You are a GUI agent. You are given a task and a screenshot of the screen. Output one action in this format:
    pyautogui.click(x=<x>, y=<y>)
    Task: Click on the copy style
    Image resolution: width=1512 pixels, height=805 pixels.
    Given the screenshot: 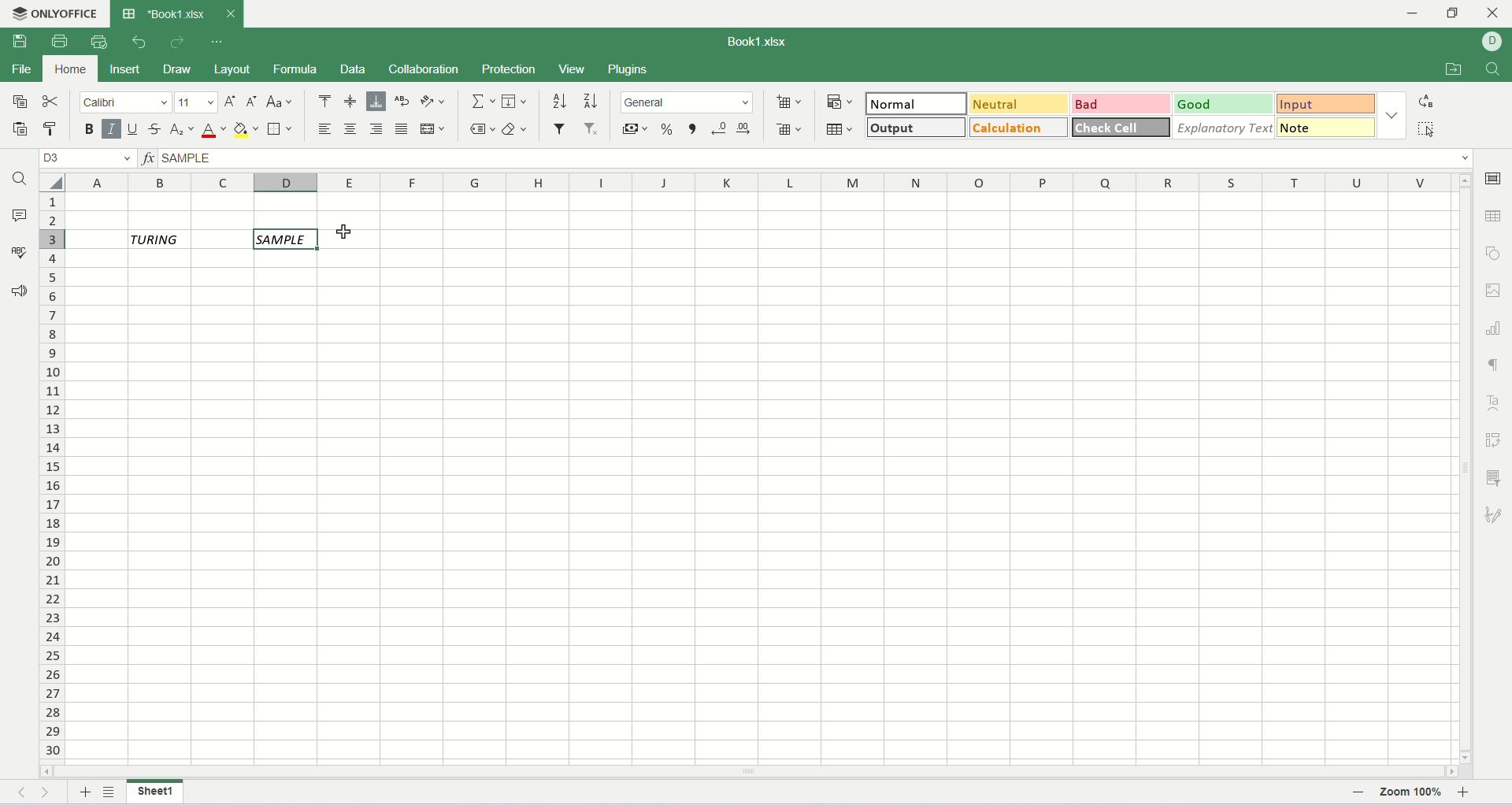 What is the action you would take?
    pyautogui.click(x=54, y=130)
    